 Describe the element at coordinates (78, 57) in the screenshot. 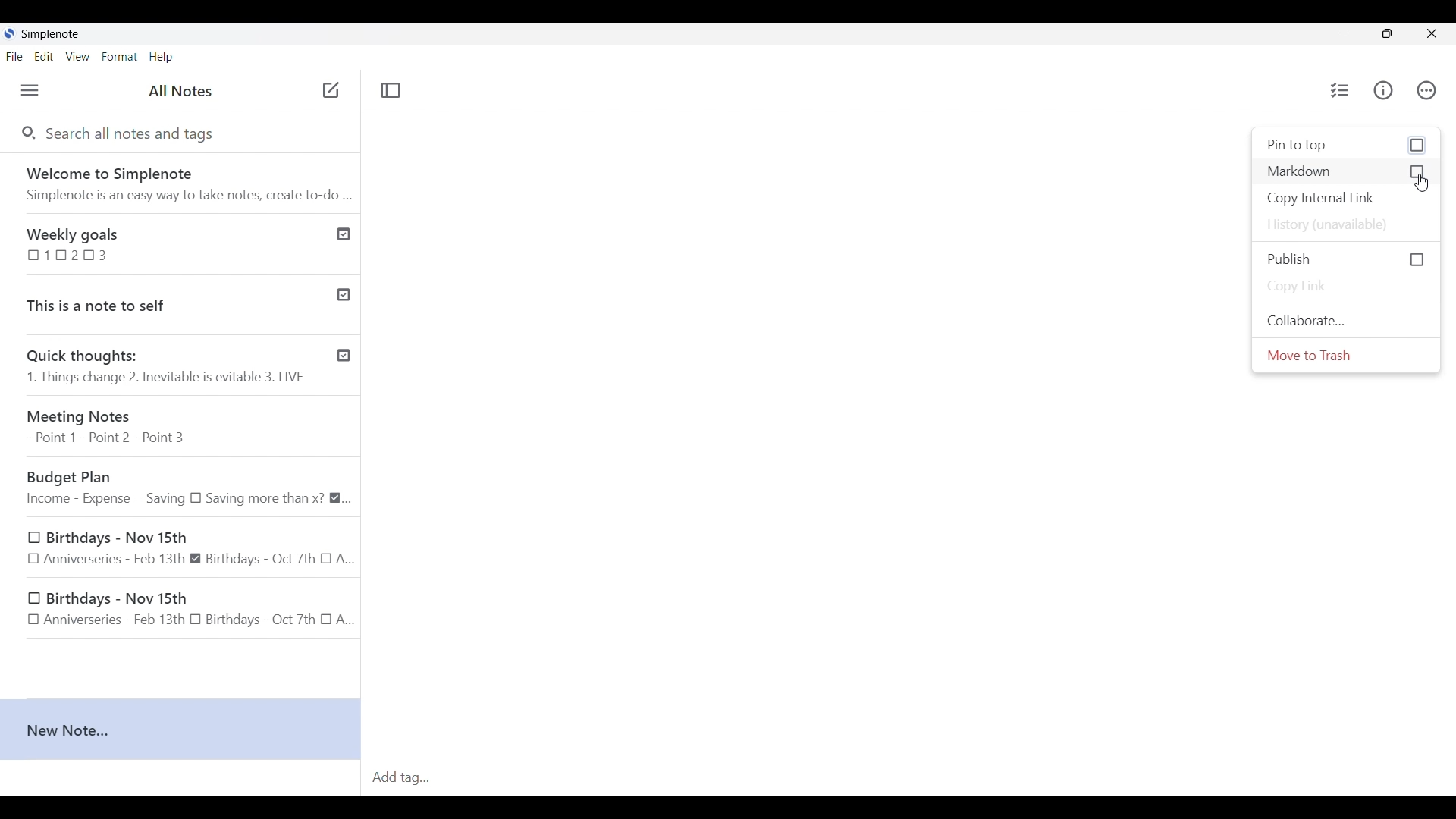

I see `View menu` at that location.